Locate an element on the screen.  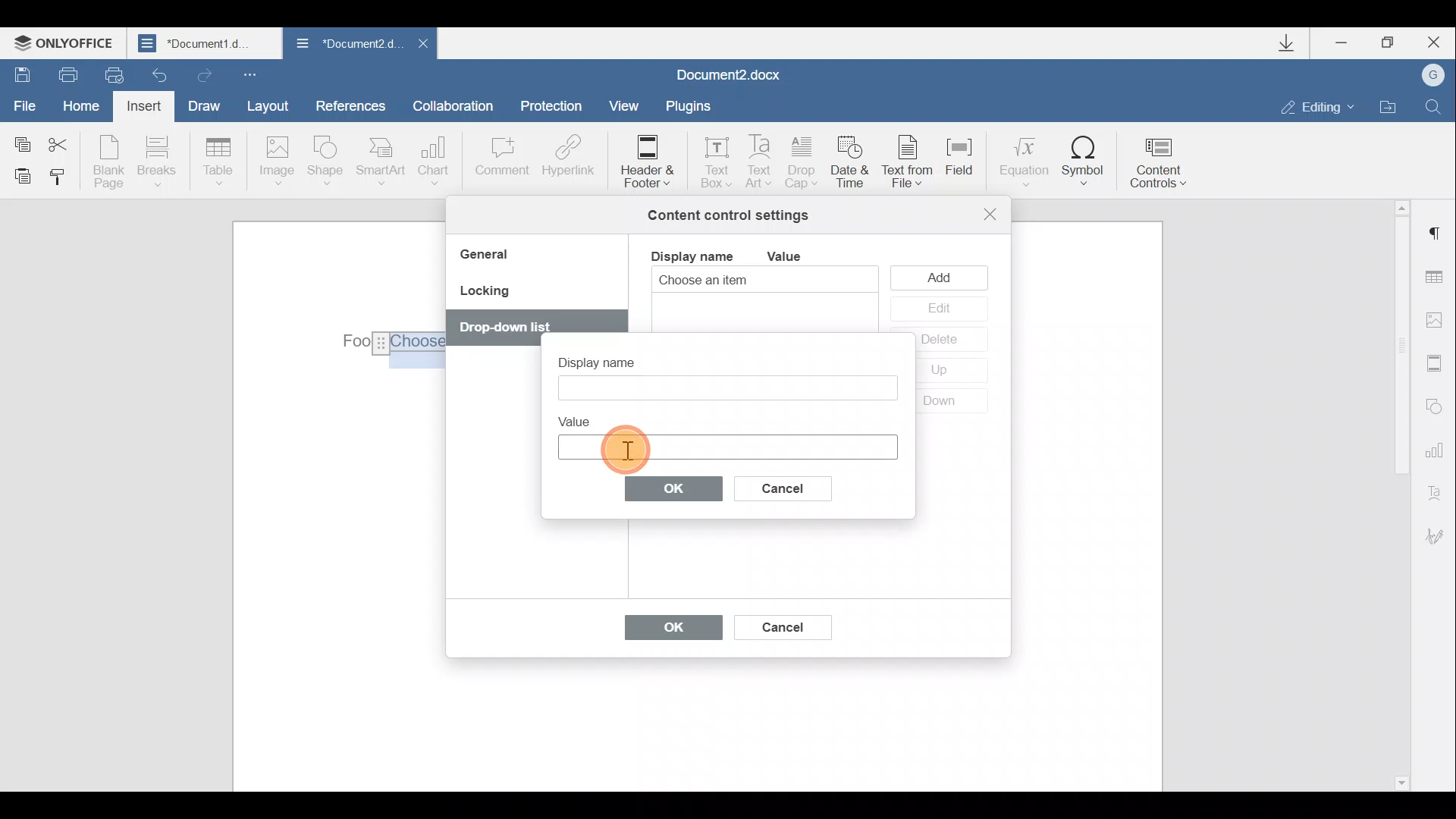
Paragraph settings is located at coordinates (1436, 234).